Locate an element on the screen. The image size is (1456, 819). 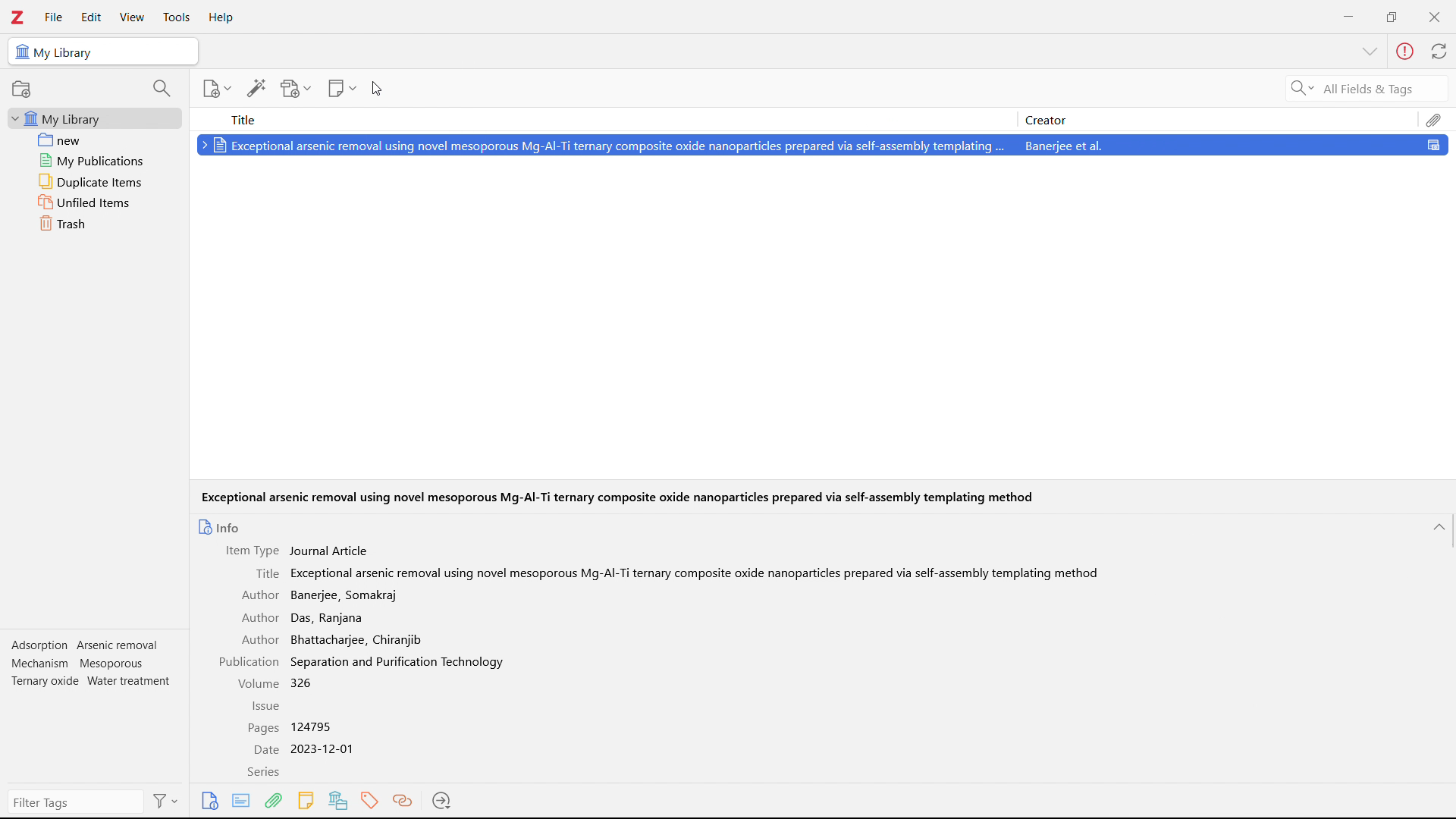
notes is located at coordinates (306, 800).